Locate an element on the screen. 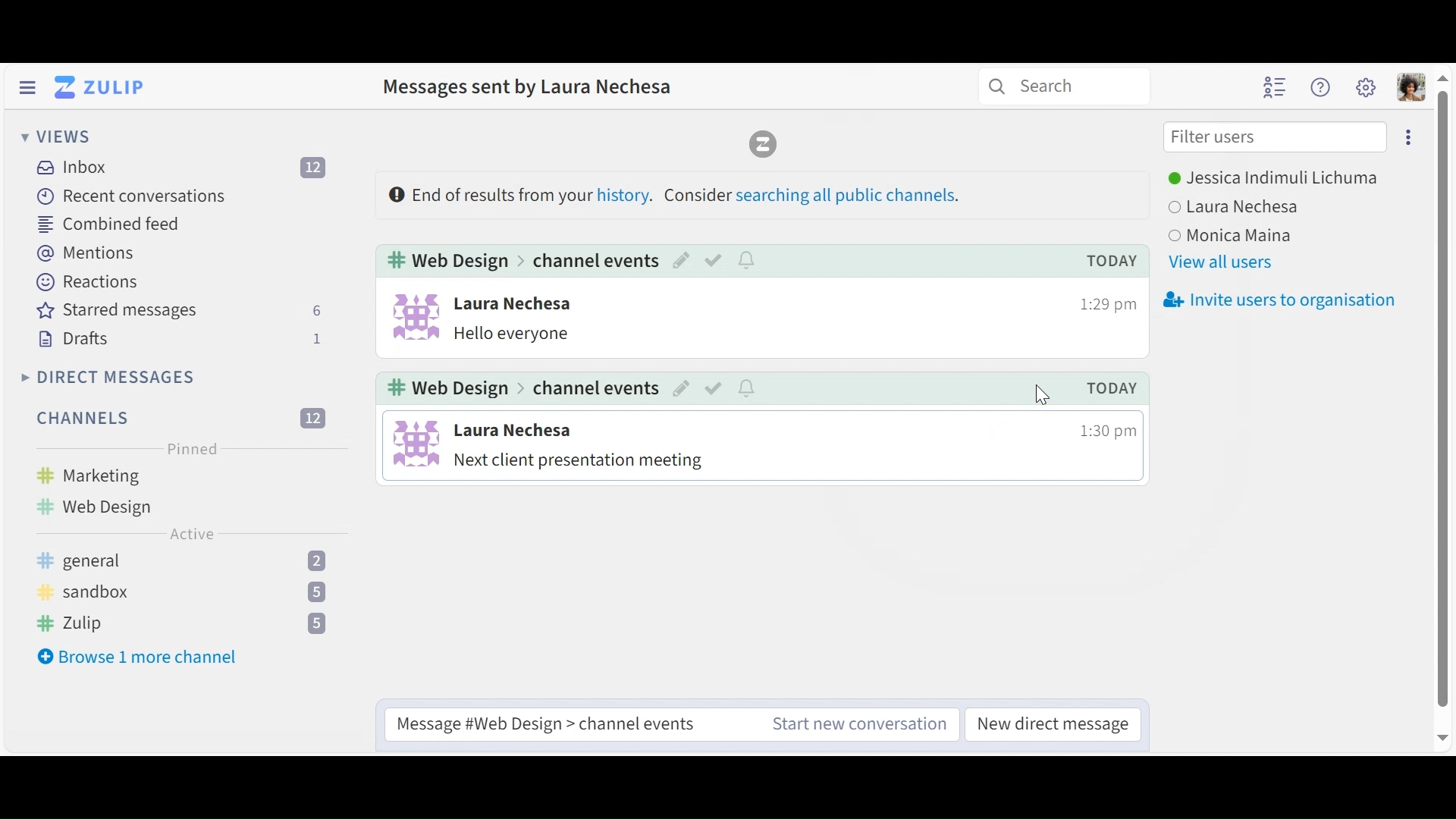  user info is located at coordinates (419, 447).